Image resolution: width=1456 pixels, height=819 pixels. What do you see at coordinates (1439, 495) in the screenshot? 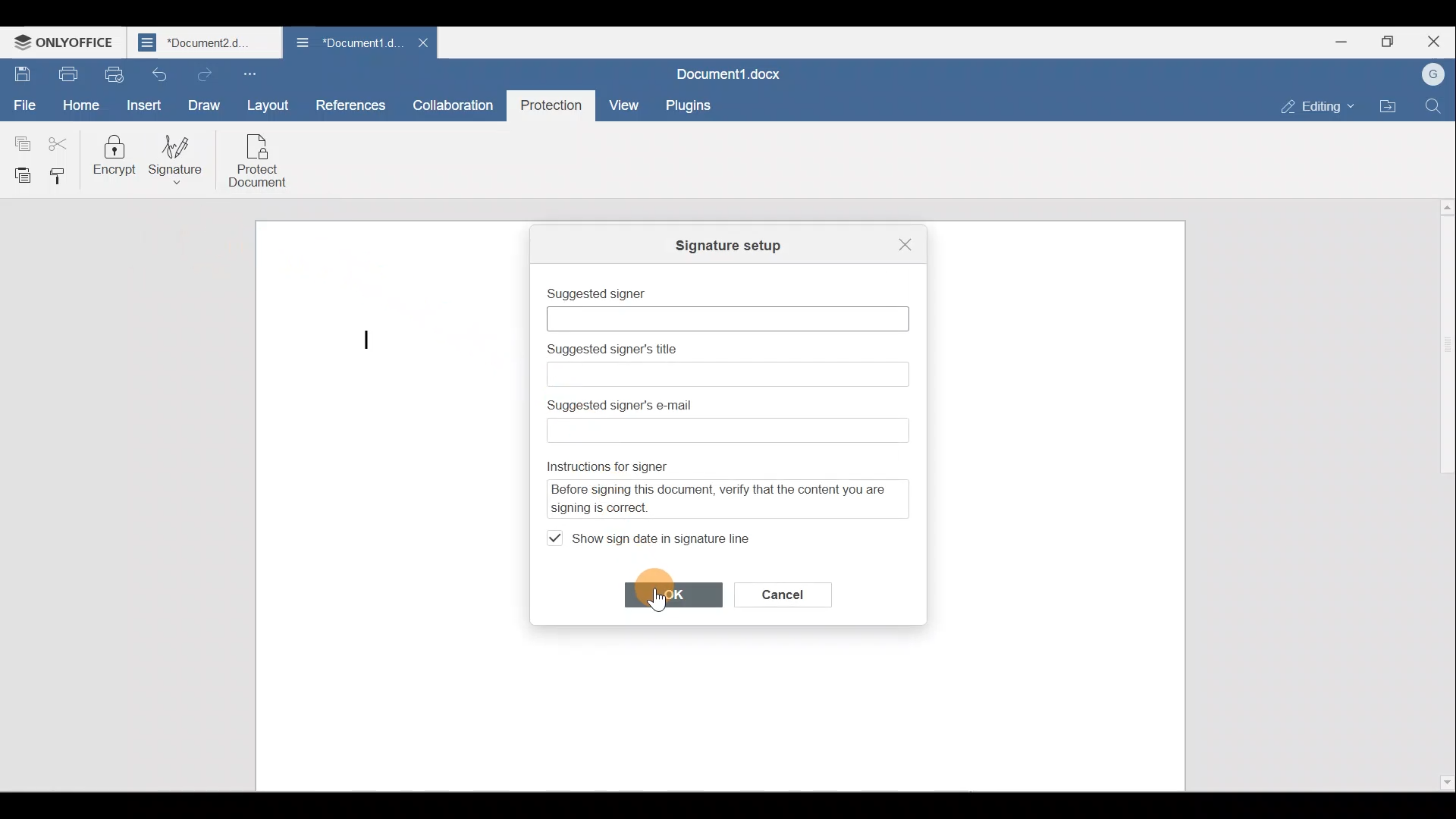
I see `Scroll bar` at bounding box center [1439, 495].